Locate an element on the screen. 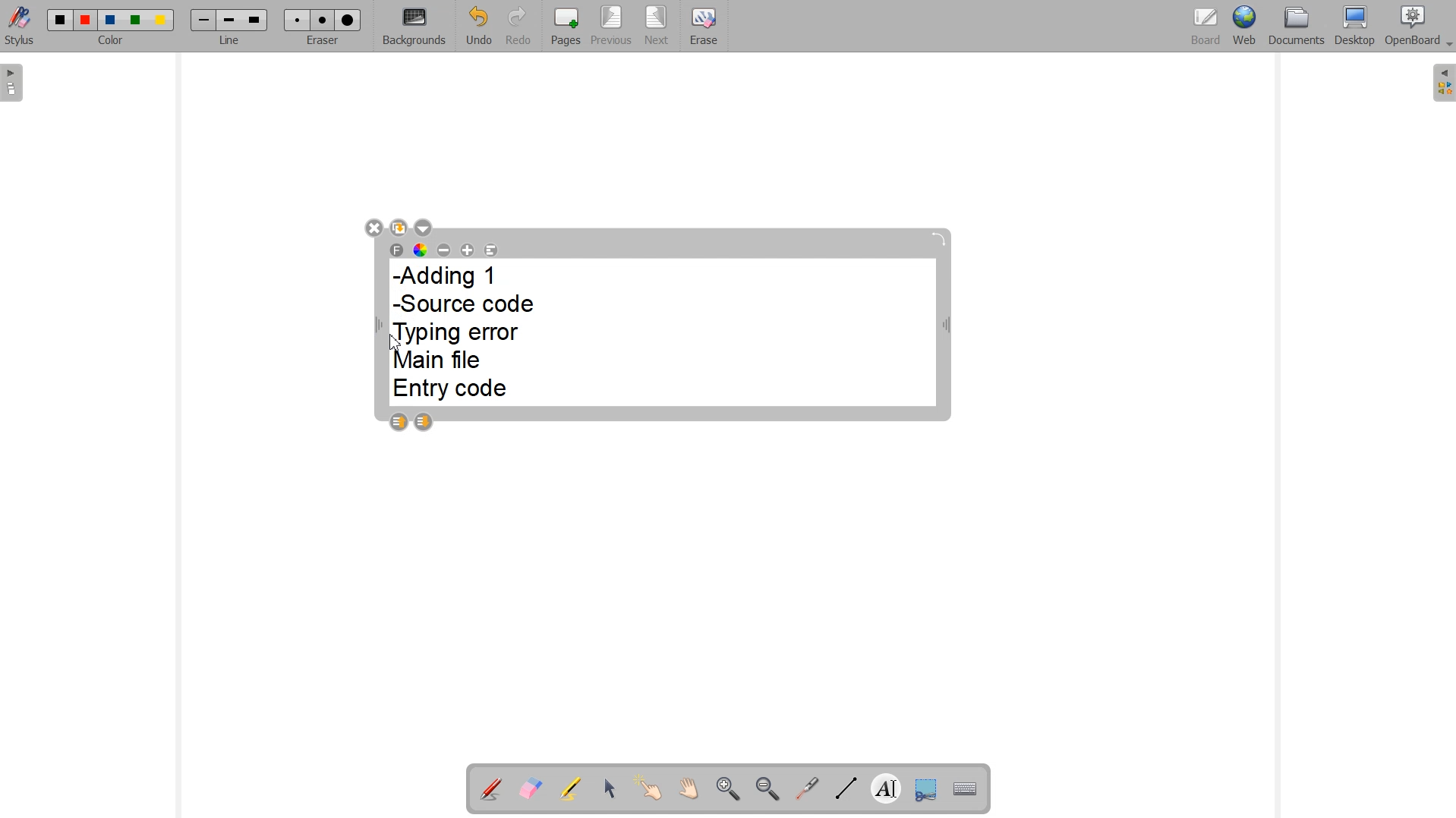  OpenBoard is located at coordinates (1420, 27).